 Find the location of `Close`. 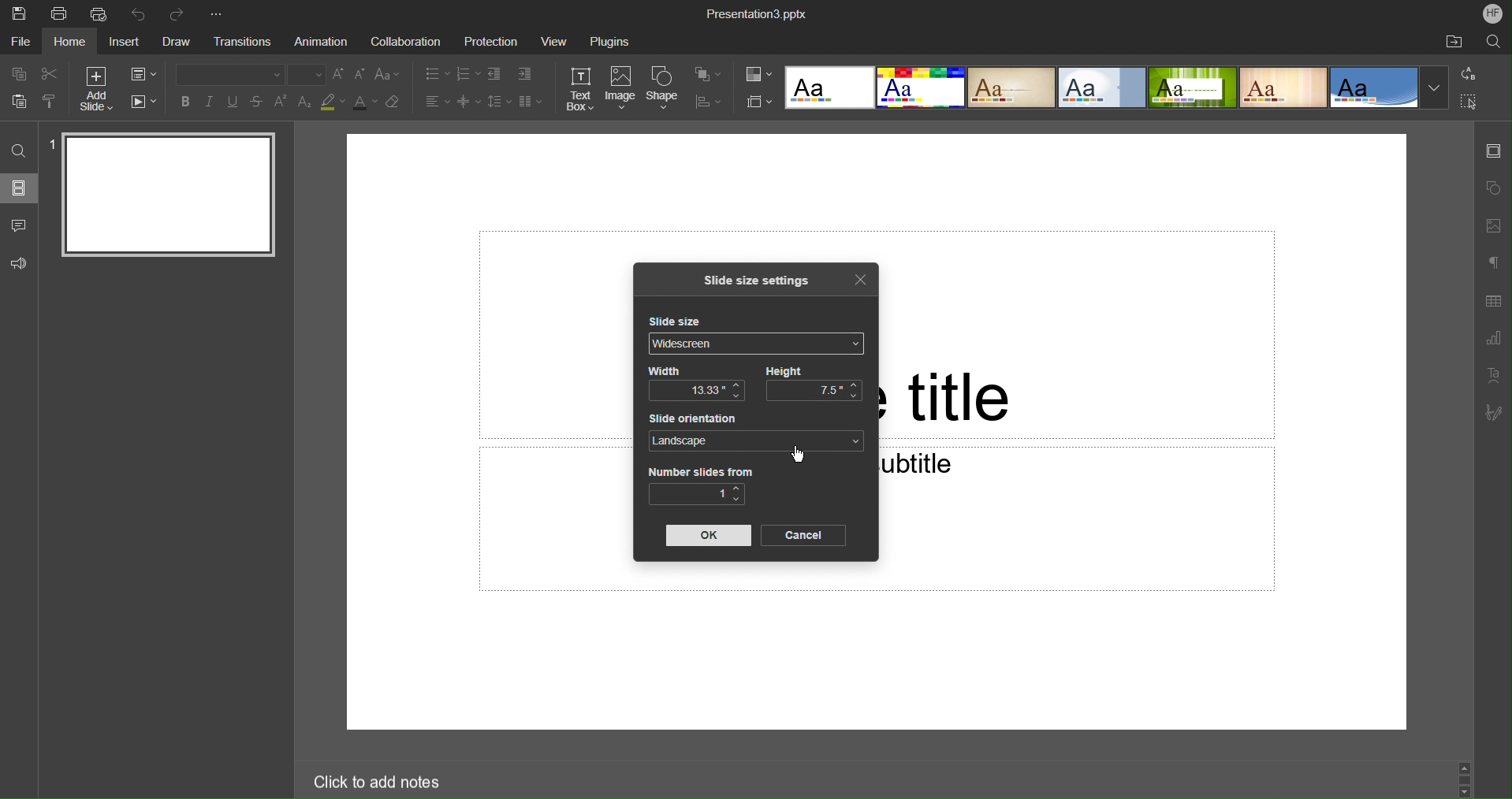

Close is located at coordinates (859, 280).